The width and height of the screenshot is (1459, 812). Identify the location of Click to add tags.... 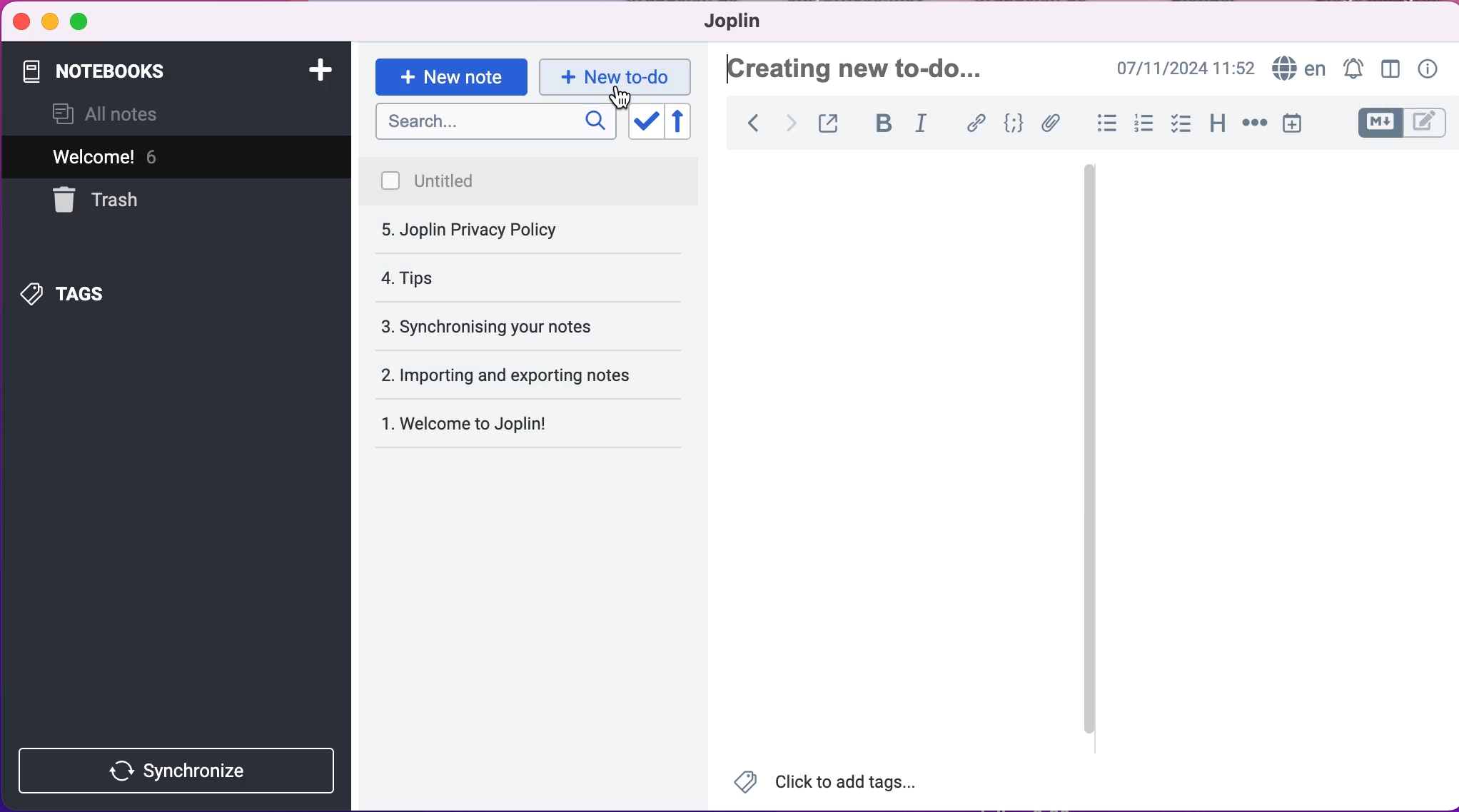
(834, 783).